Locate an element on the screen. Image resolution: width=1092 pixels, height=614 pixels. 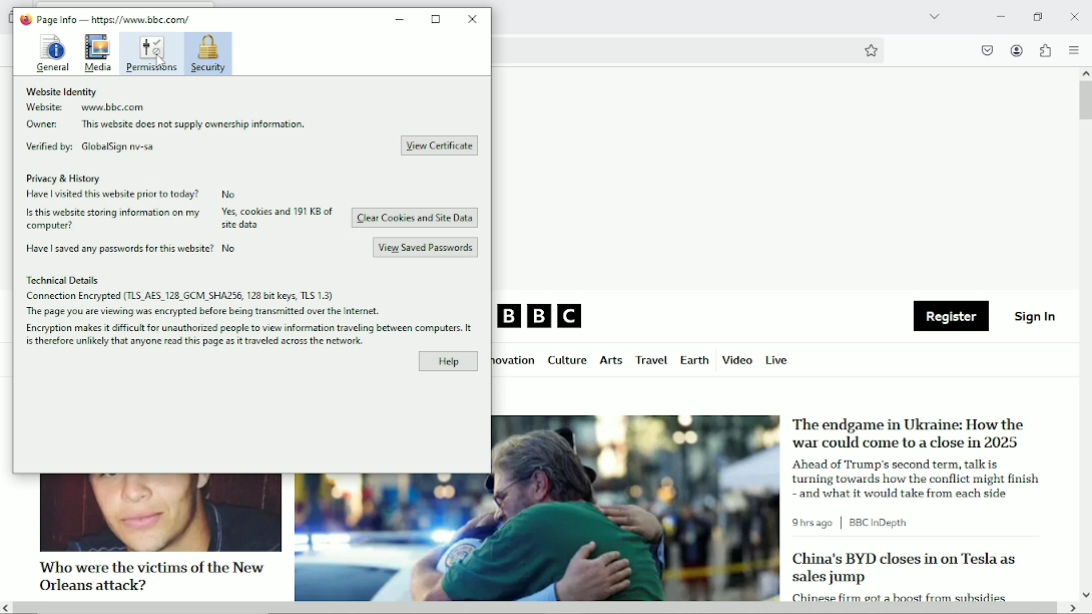
Accounts is located at coordinates (1015, 48).